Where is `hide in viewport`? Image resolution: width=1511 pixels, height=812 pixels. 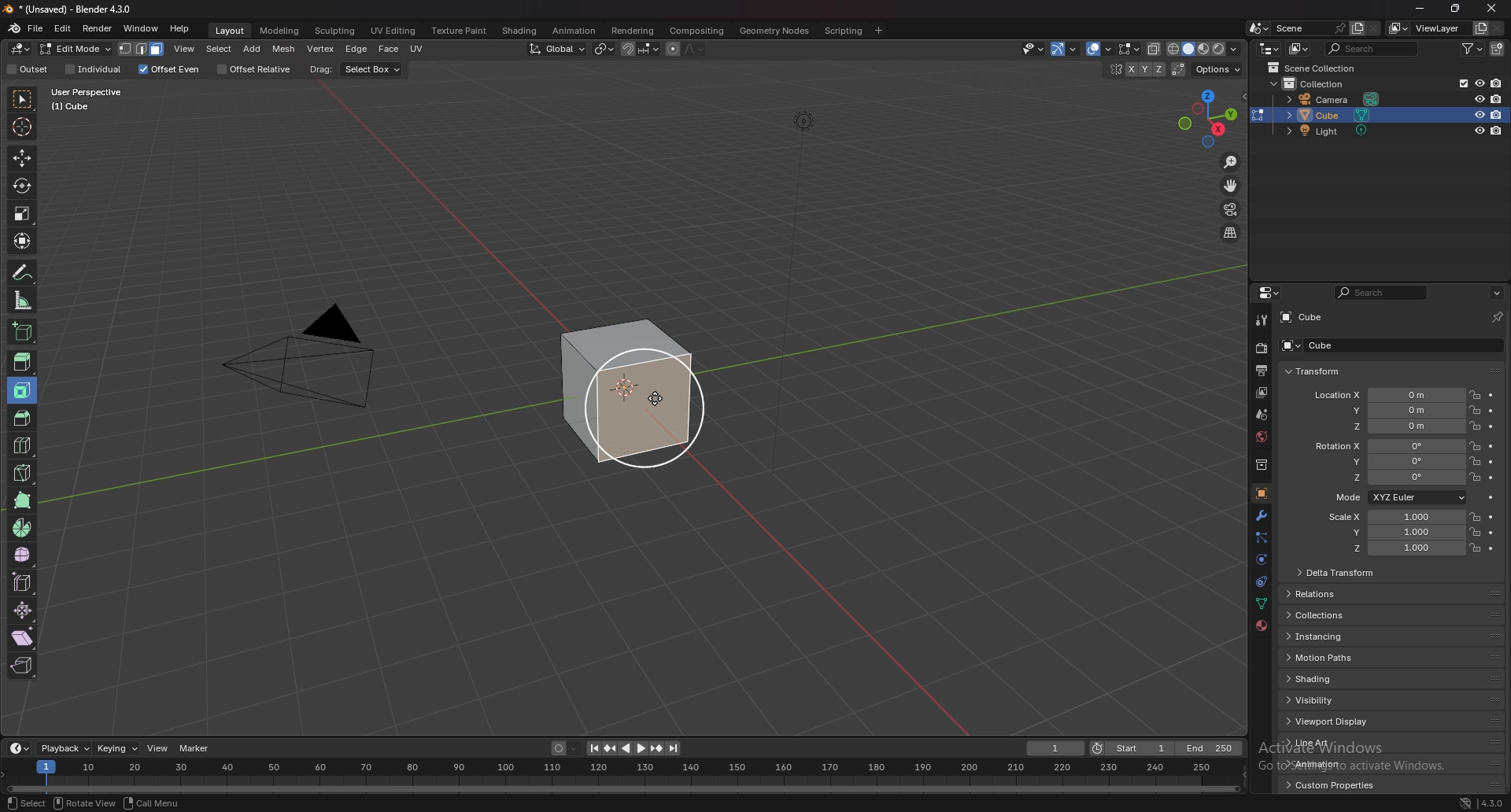 hide in viewport is located at coordinates (1479, 83).